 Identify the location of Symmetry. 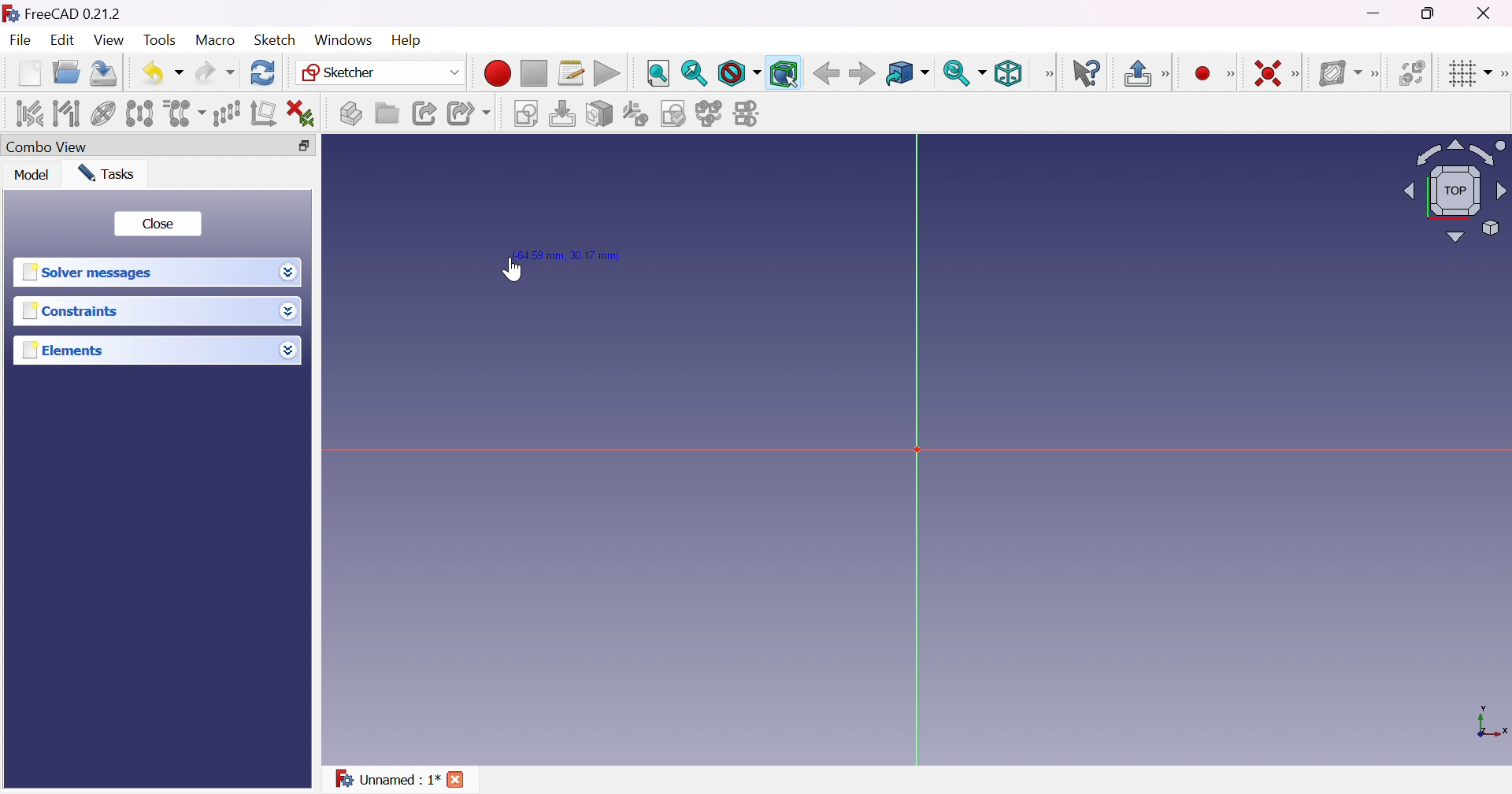
(139, 113).